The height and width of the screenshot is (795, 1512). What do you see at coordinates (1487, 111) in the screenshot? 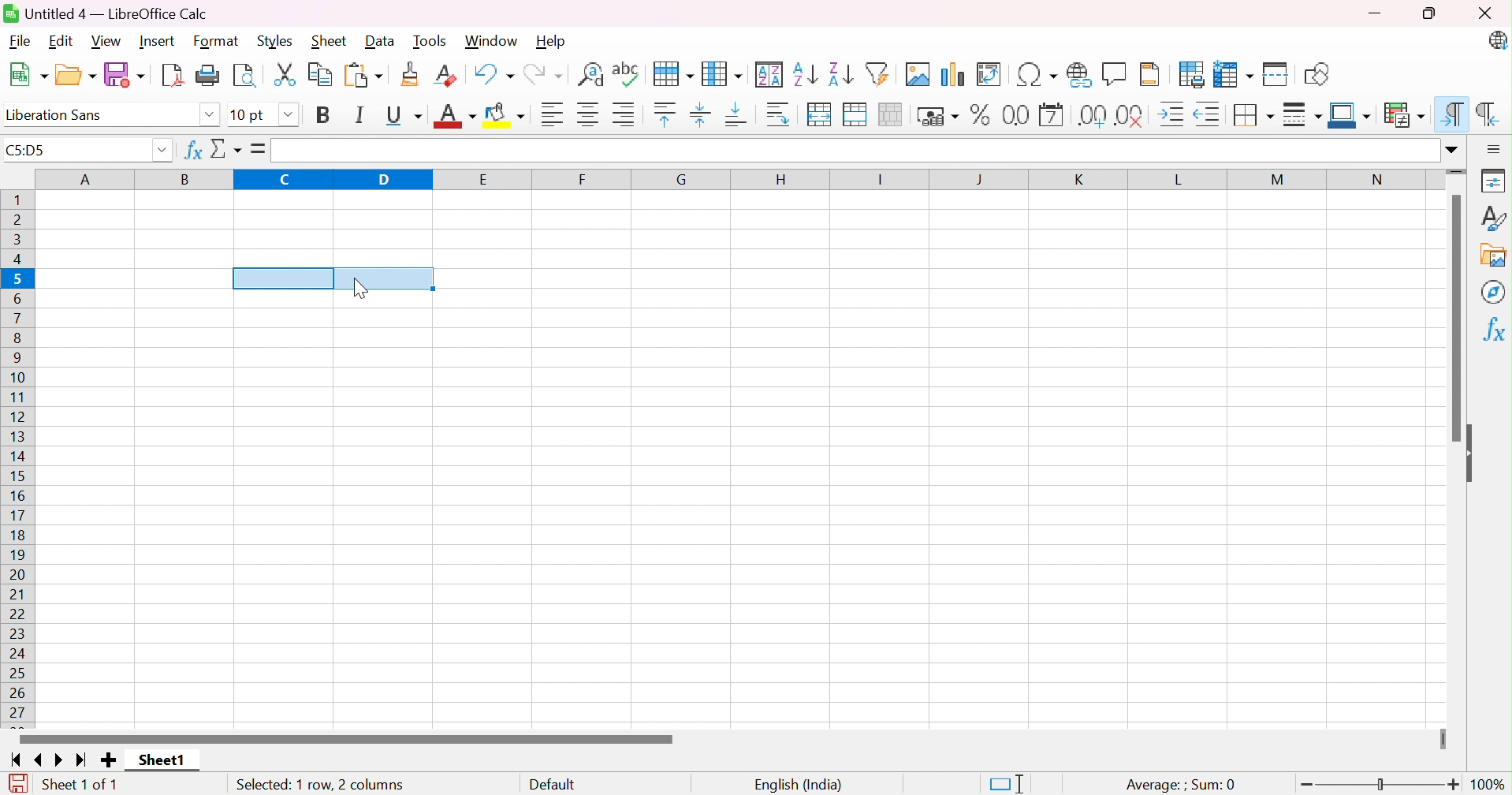
I see `Right-To-Left` at bounding box center [1487, 111].